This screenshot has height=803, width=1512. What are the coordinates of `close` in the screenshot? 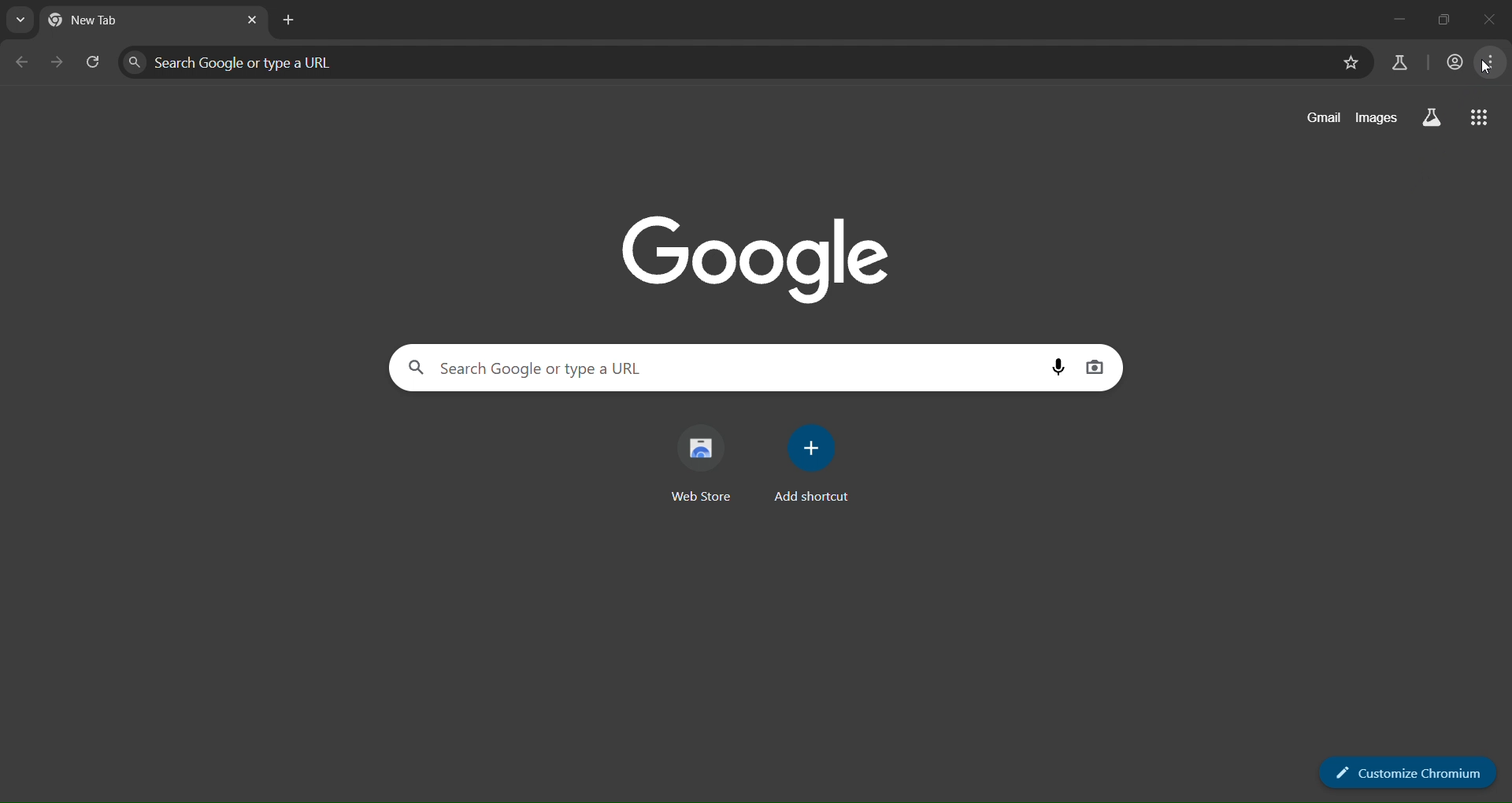 It's located at (1446, 17).